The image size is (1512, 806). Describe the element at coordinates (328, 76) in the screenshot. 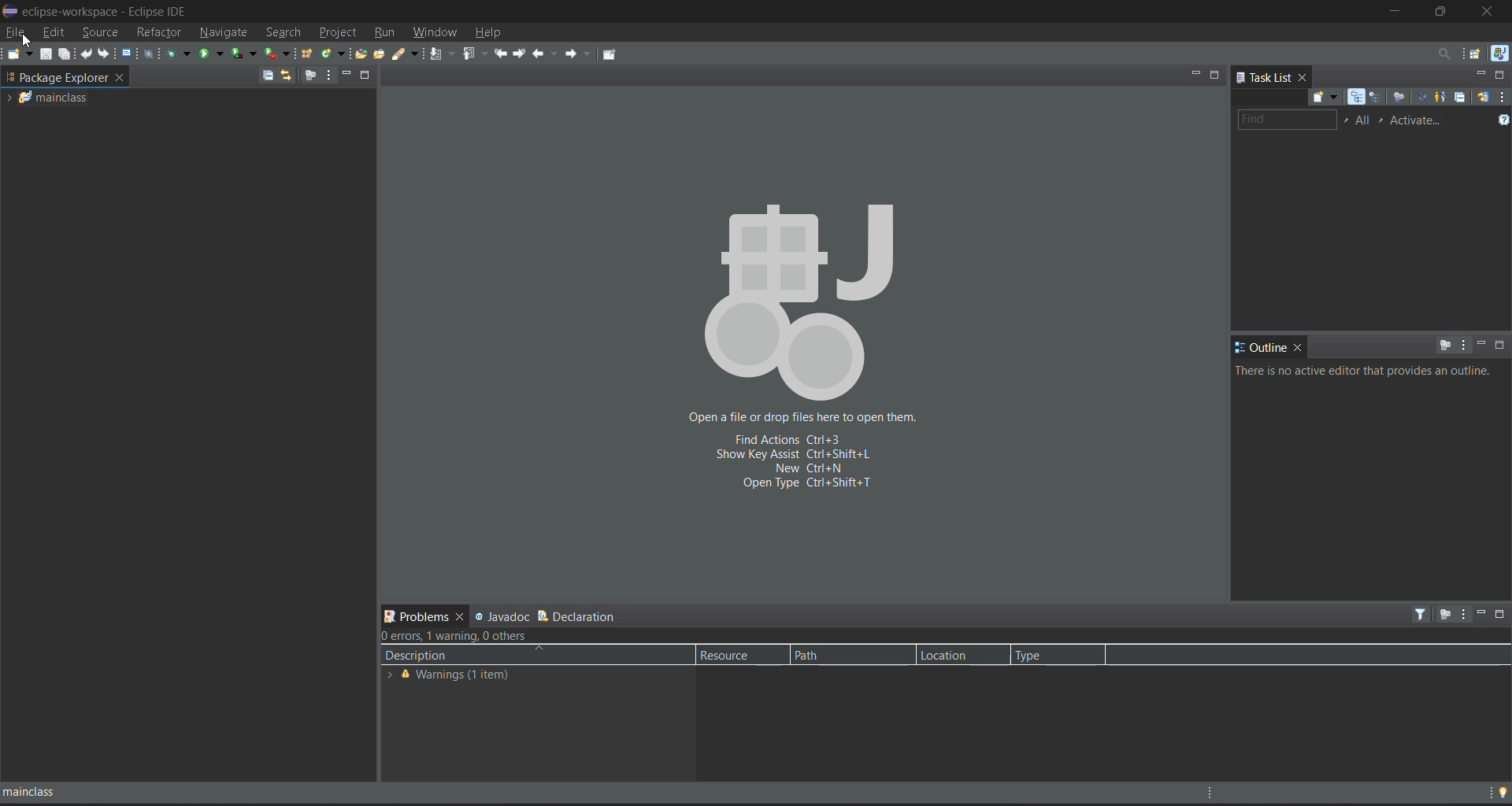

I see `view menu` at that location.